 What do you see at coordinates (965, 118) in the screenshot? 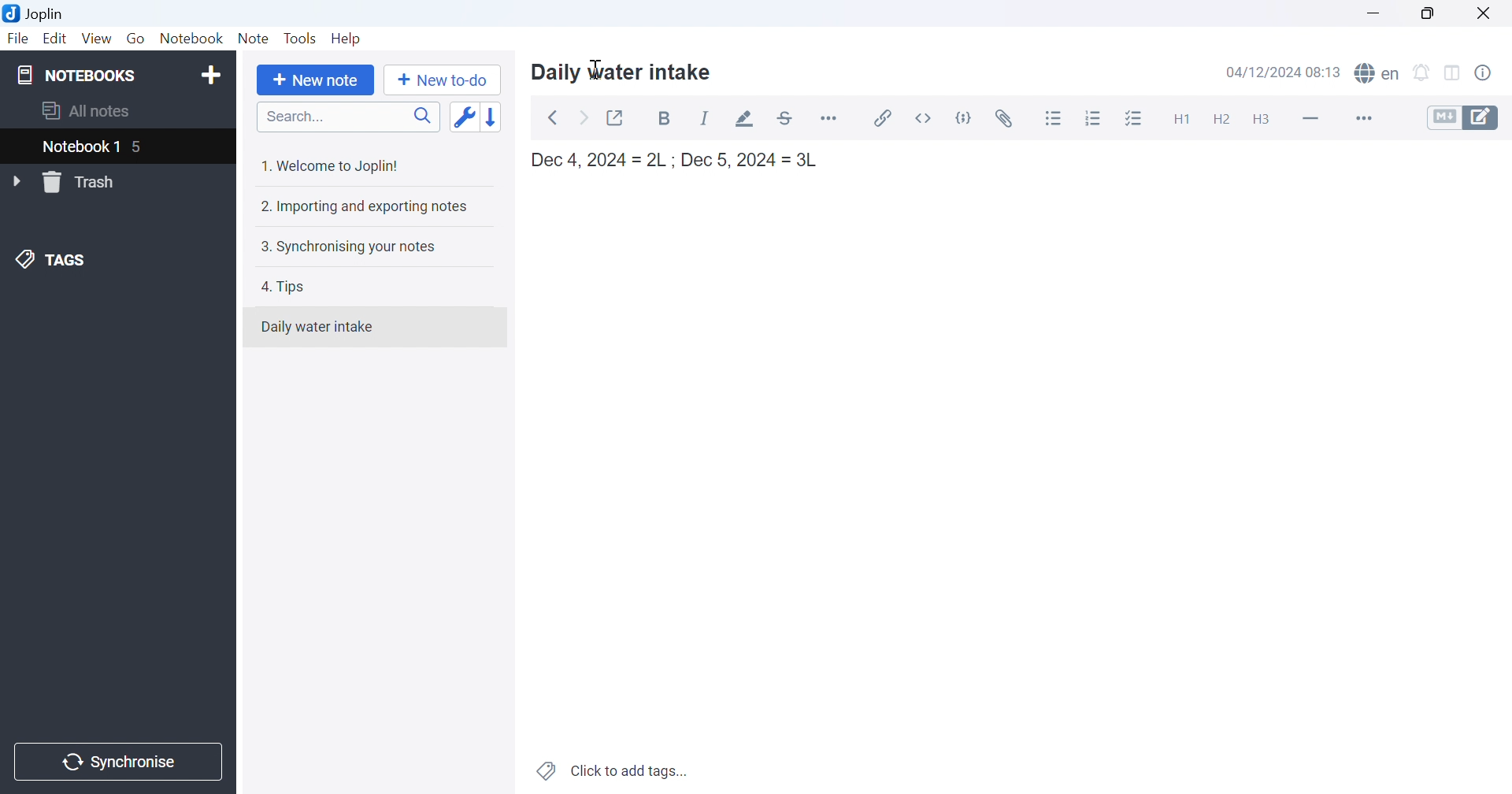
I see `Code` at bounding box center [965, 118].